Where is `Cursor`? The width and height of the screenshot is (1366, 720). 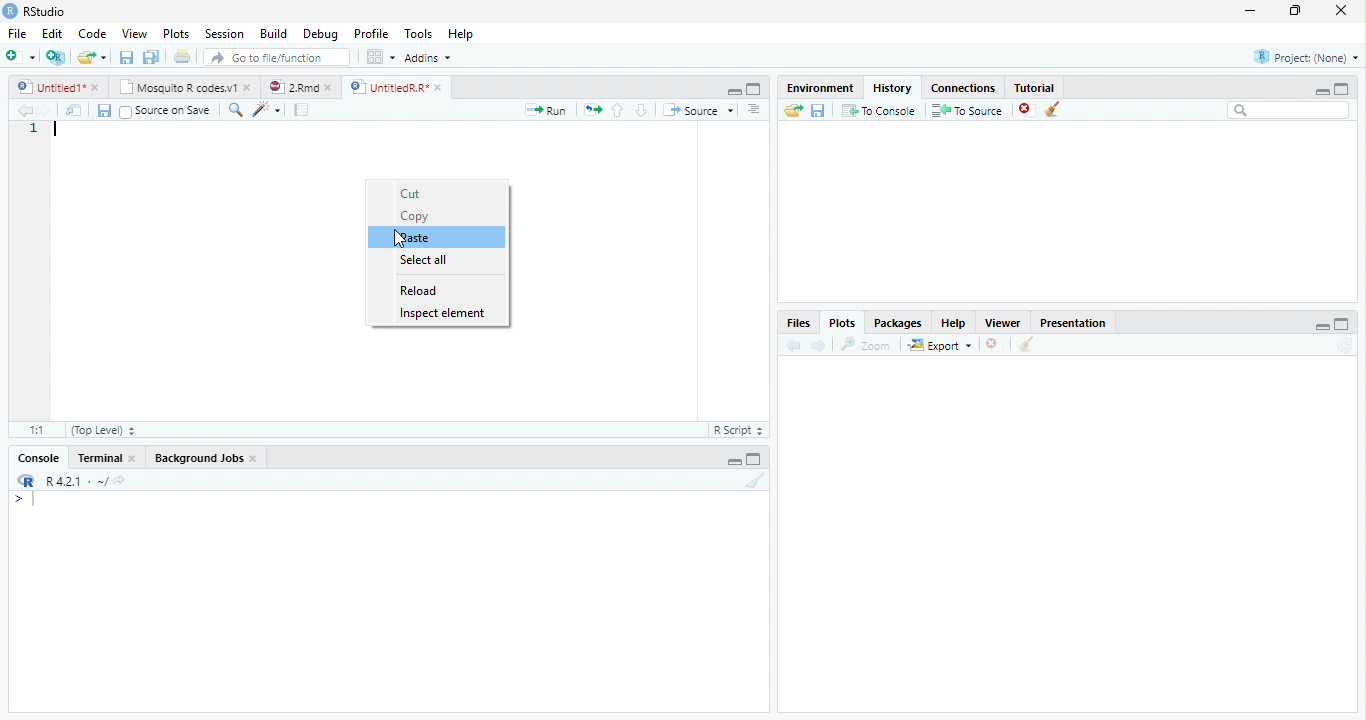
Cursor is located at coordinates (402, 239).